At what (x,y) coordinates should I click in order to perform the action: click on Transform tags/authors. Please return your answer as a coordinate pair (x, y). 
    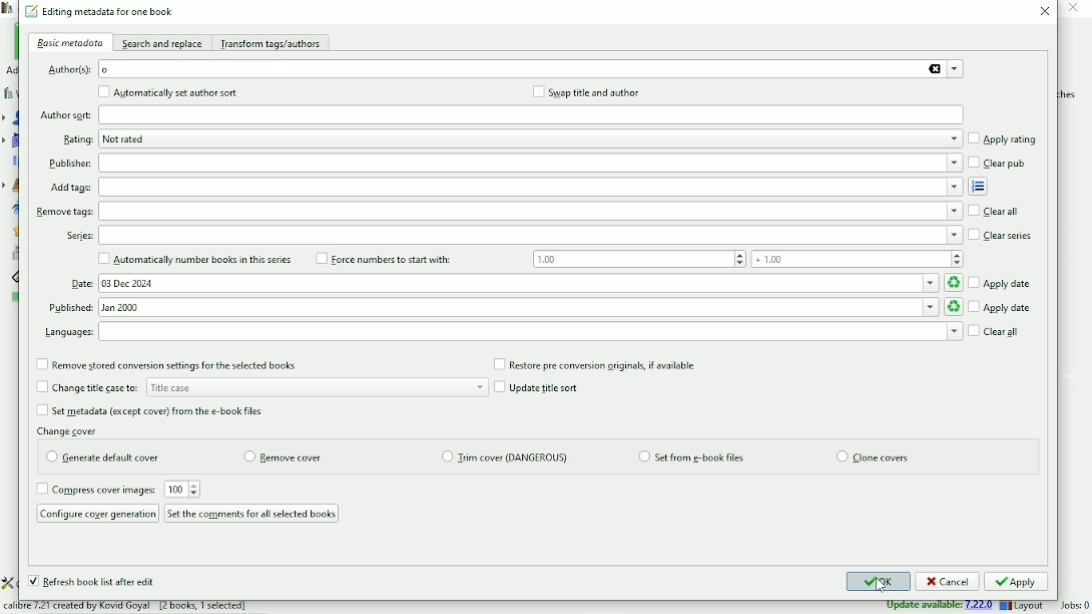
    Looking at the image, I should click on (273, 44).